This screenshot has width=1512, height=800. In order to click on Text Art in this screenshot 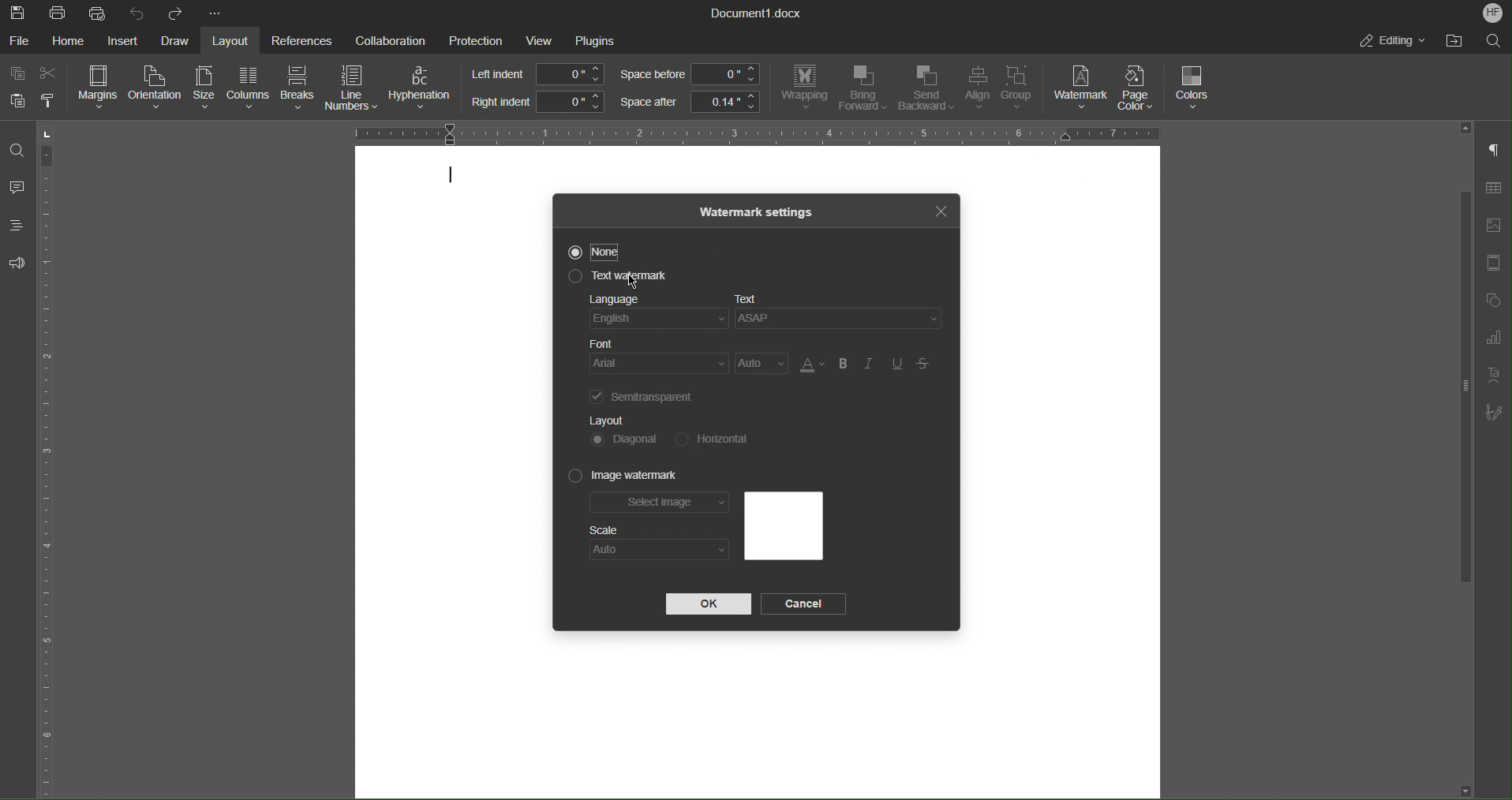, I will do `click(1491, 376)`.